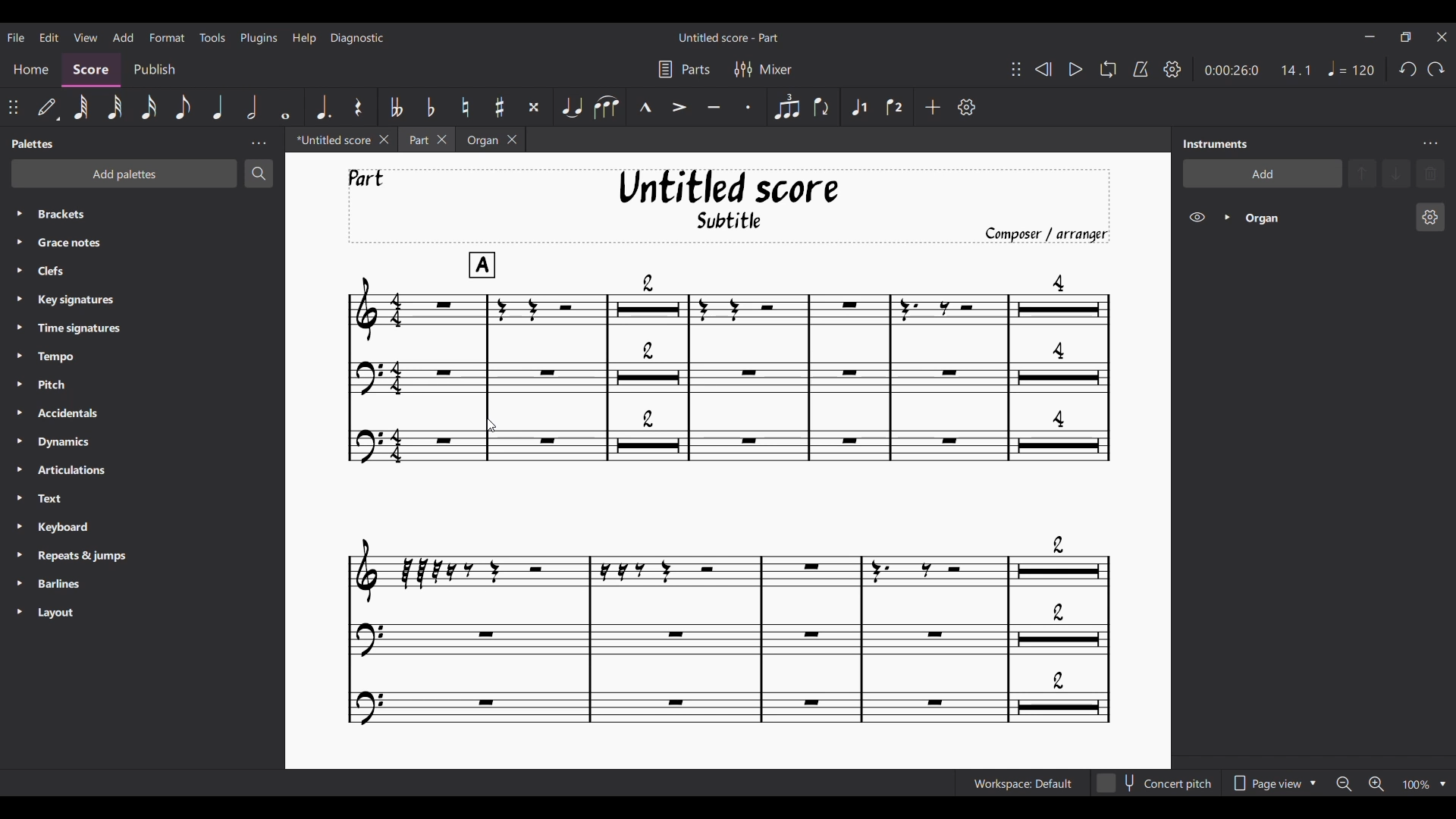  What do you see at coordinates (30, 69) in the screenshot?
I see `Home section` at bounding box center [30, 69].